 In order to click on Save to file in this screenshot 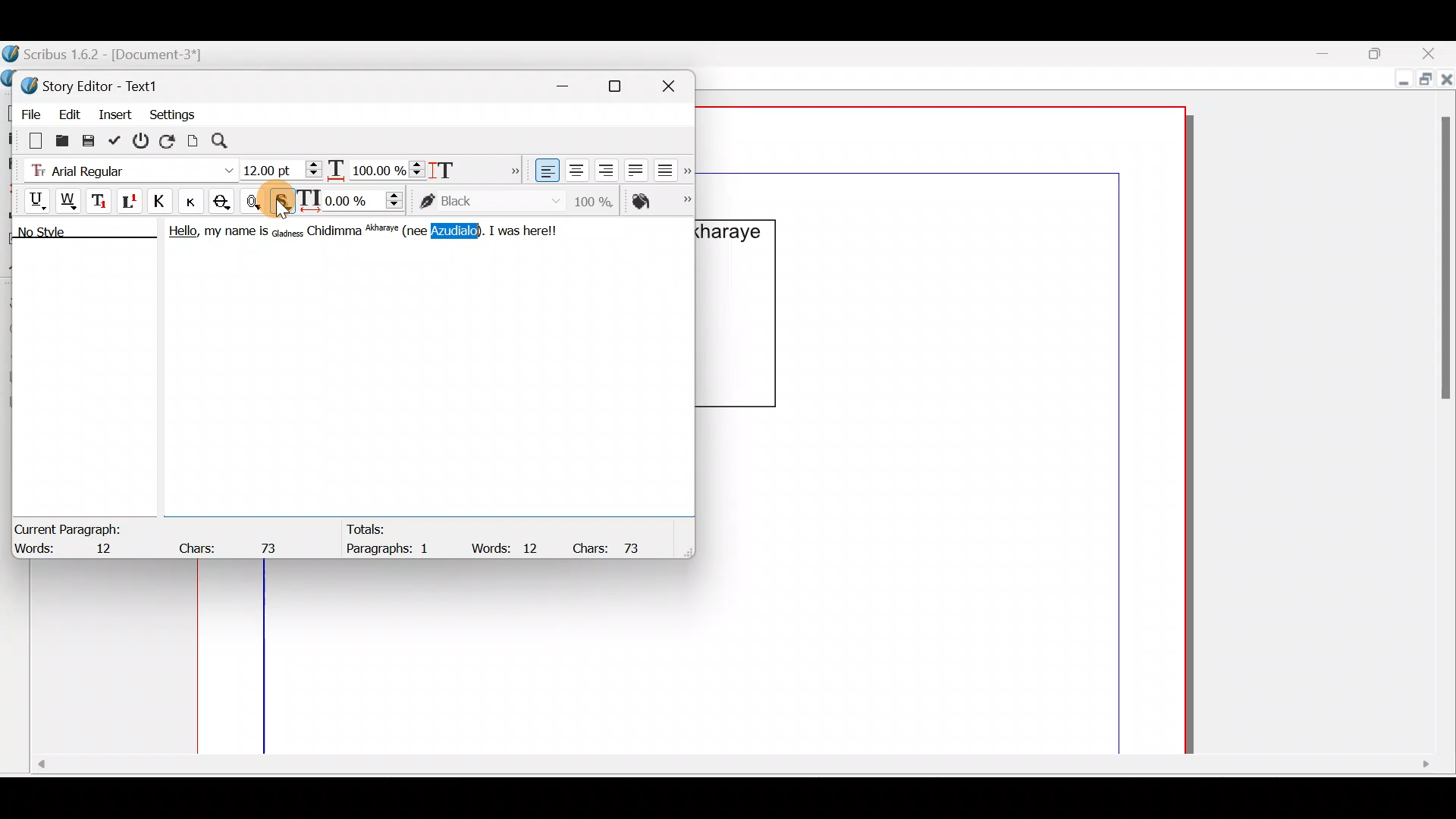, I will do `click(89, 140)`.